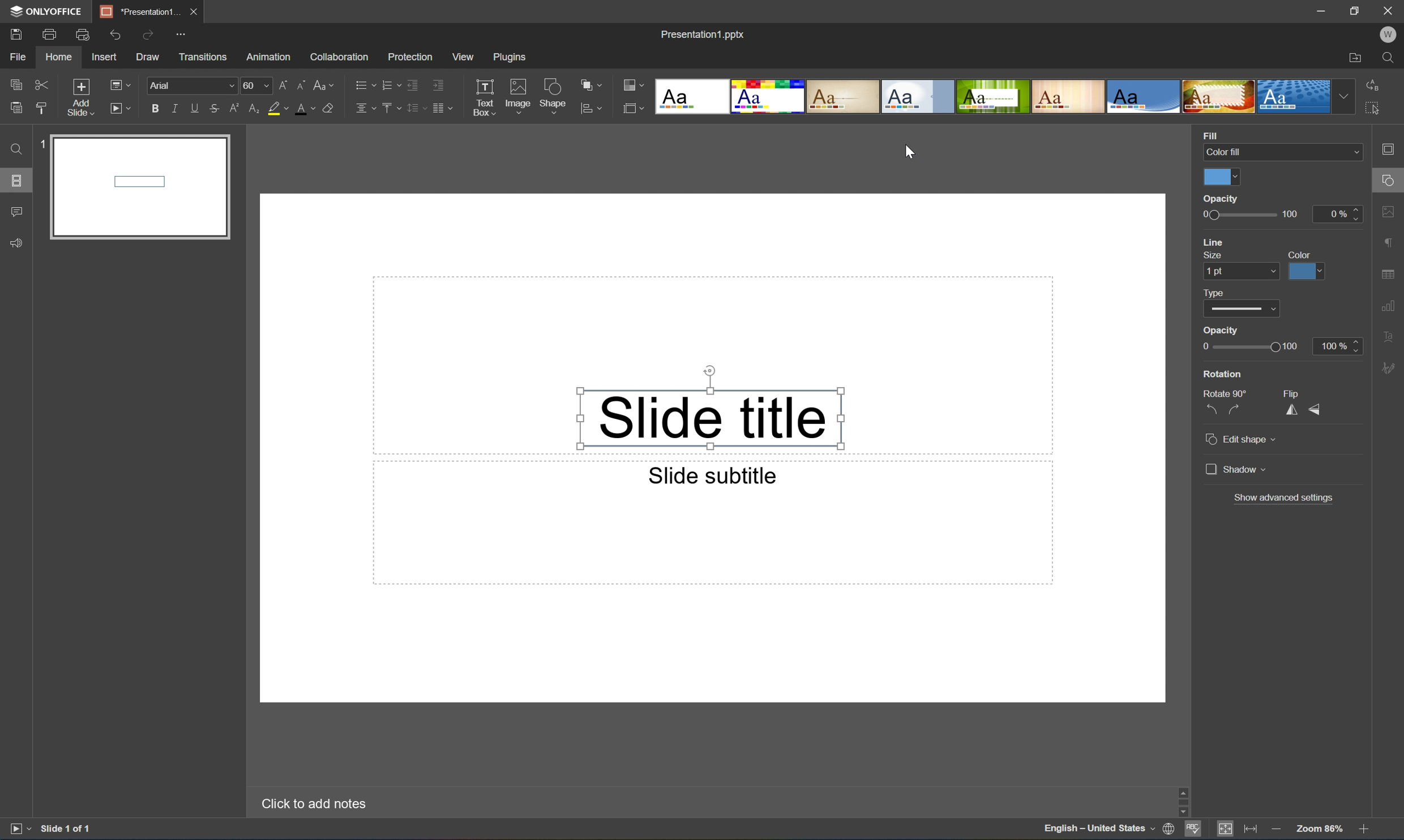  I want to click on Slider, so click(1254, 346).